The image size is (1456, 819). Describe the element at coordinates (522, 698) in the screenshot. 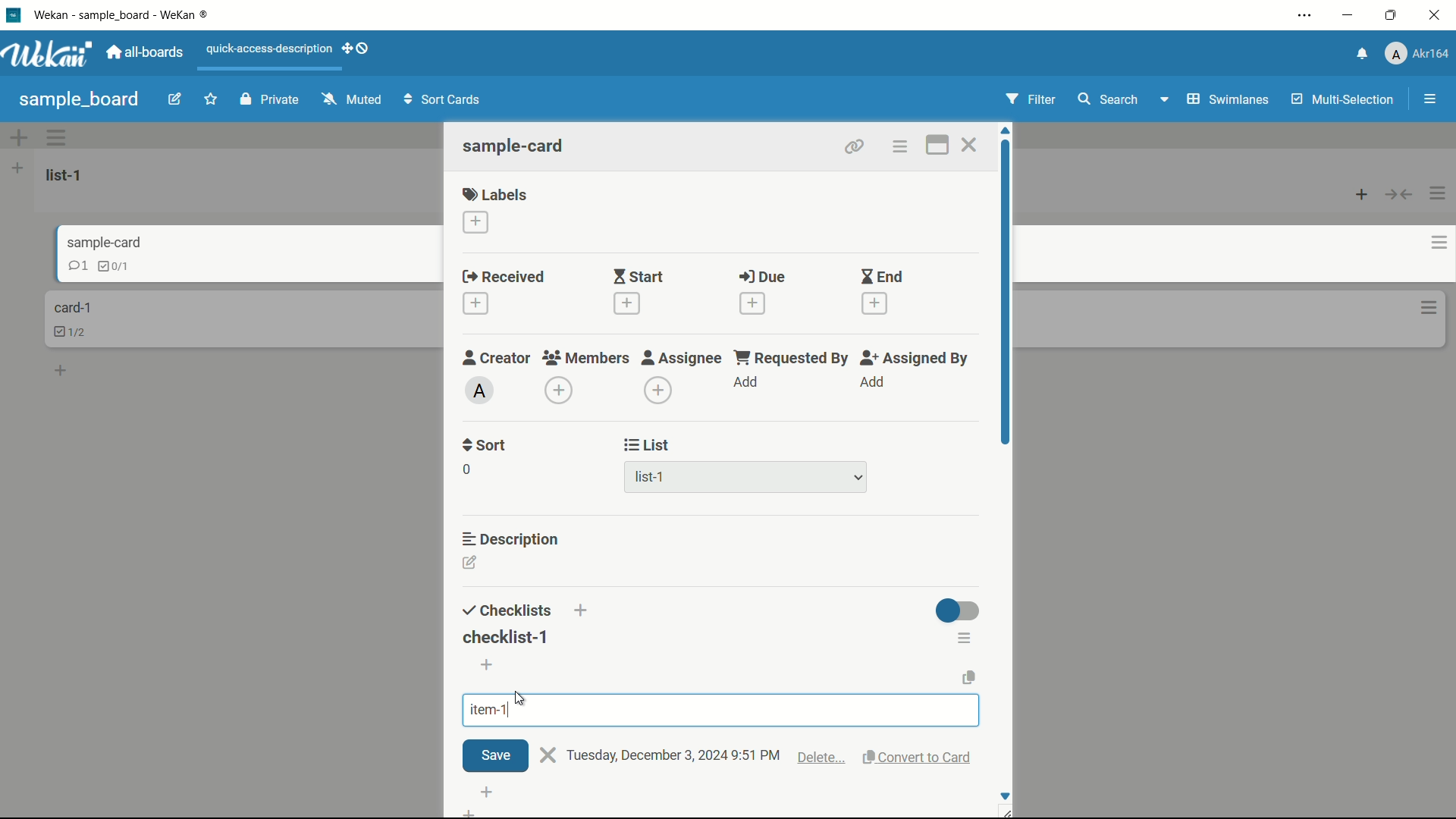

I see `cursor` at that location.